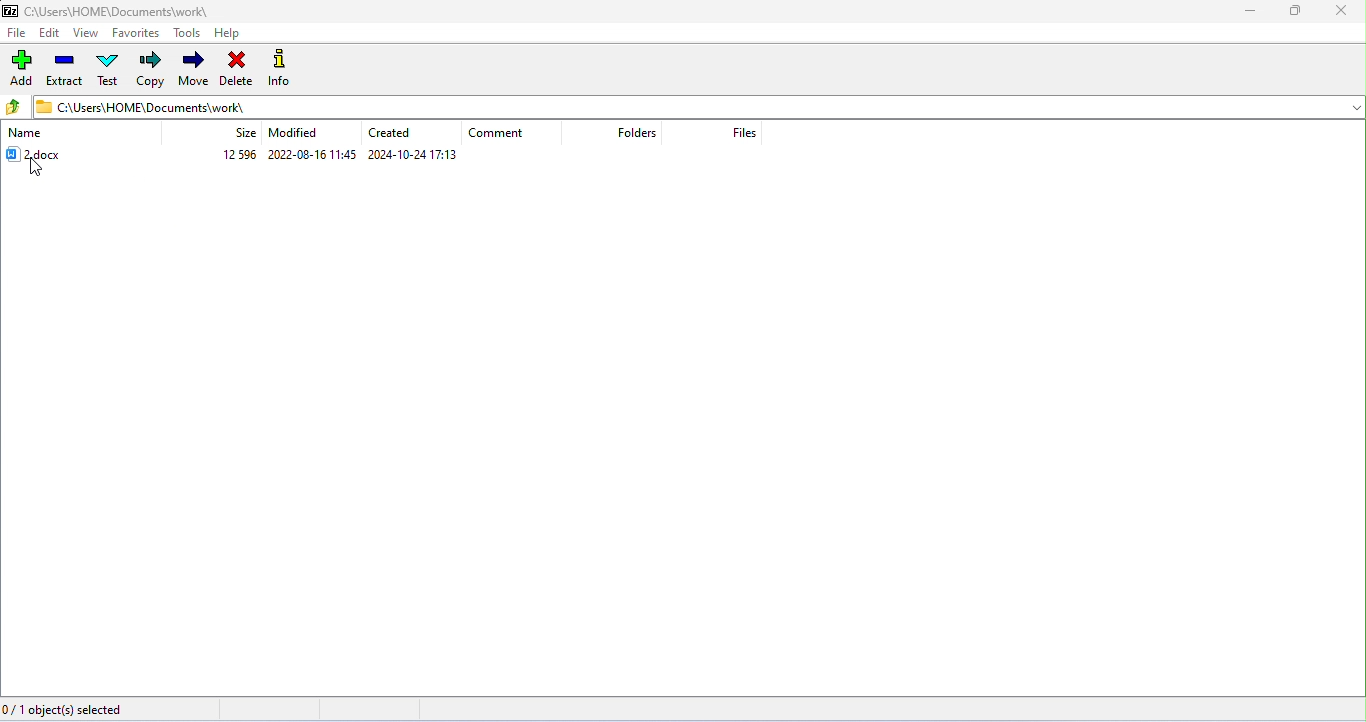 The height and width of the screenshot is (722, 1366). Describe the element at coordinates (40, 171) in the screenshot. I see `cursor` at that location.